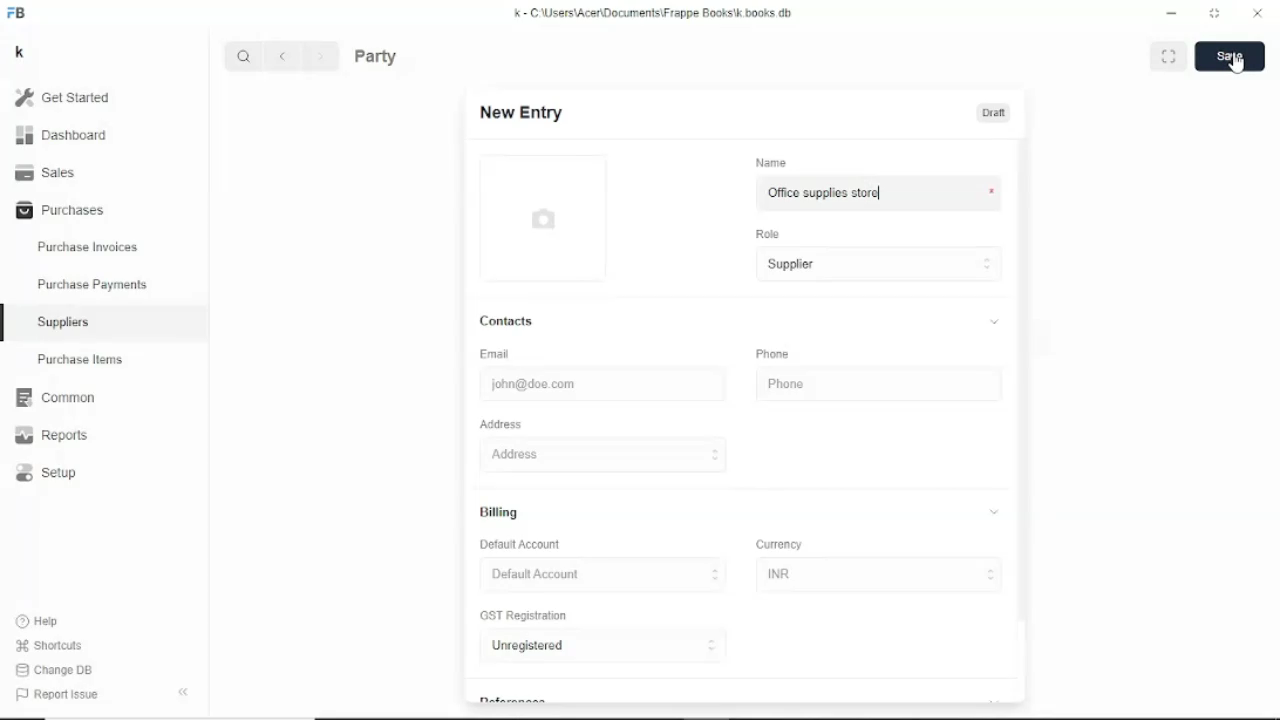  I want to click on Default account, so click(522, 545).